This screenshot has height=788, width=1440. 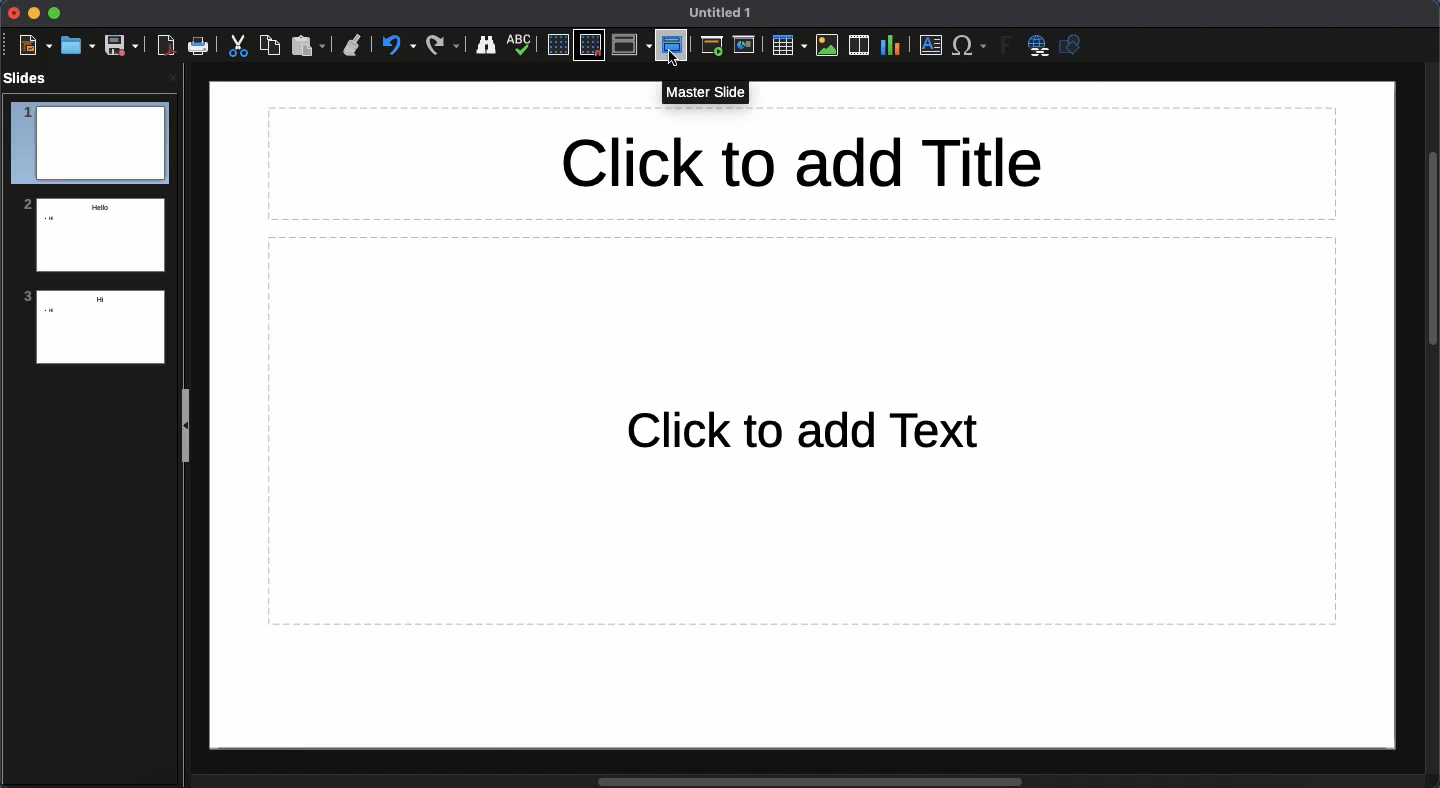 I want to click on Finder, so click(x=485, y=44).